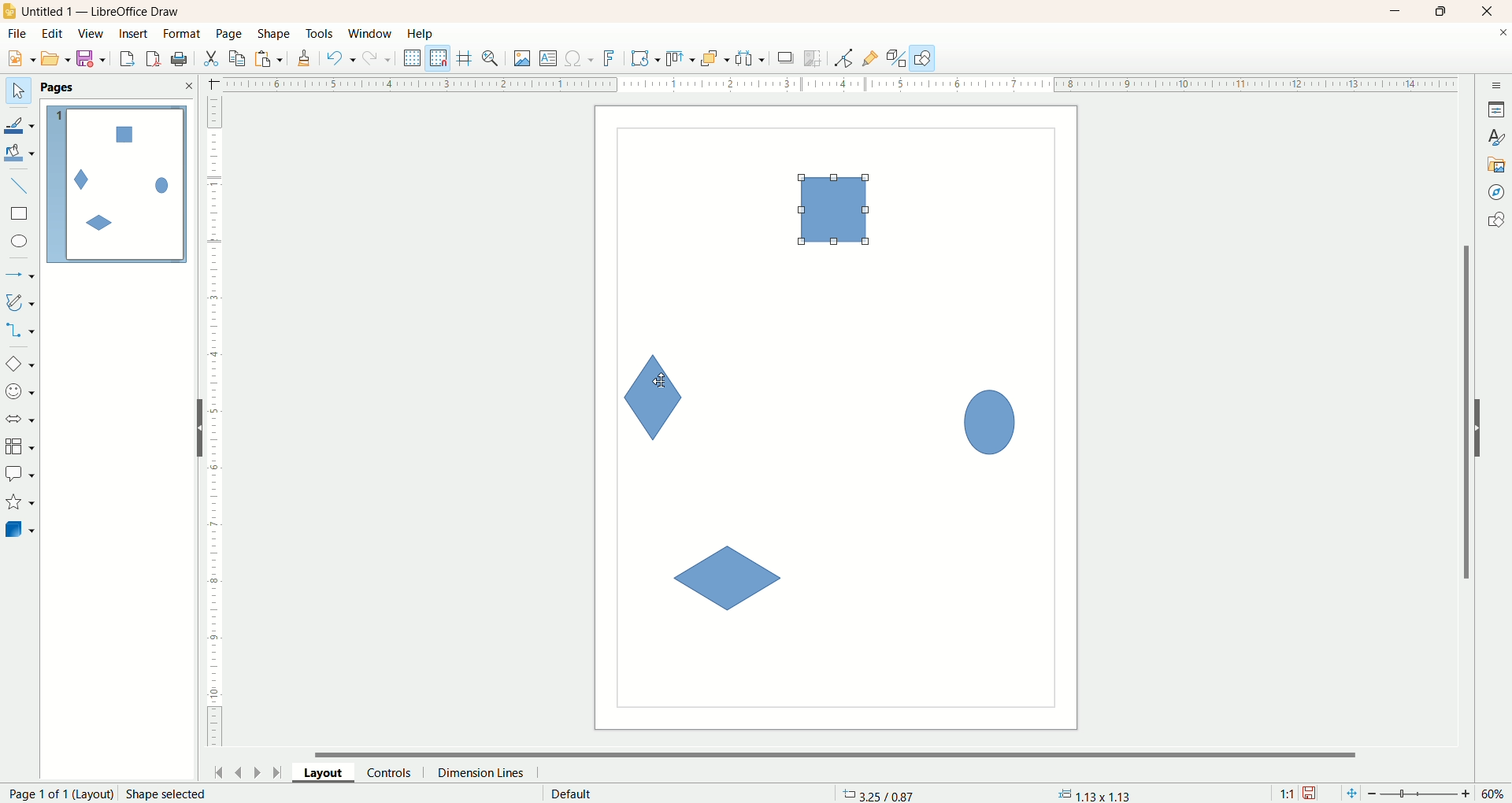 The width and height of the screenshot is (1512, 803). Describe the element at coordinates (92, 34) in the screenshot. I see `view` at that location.